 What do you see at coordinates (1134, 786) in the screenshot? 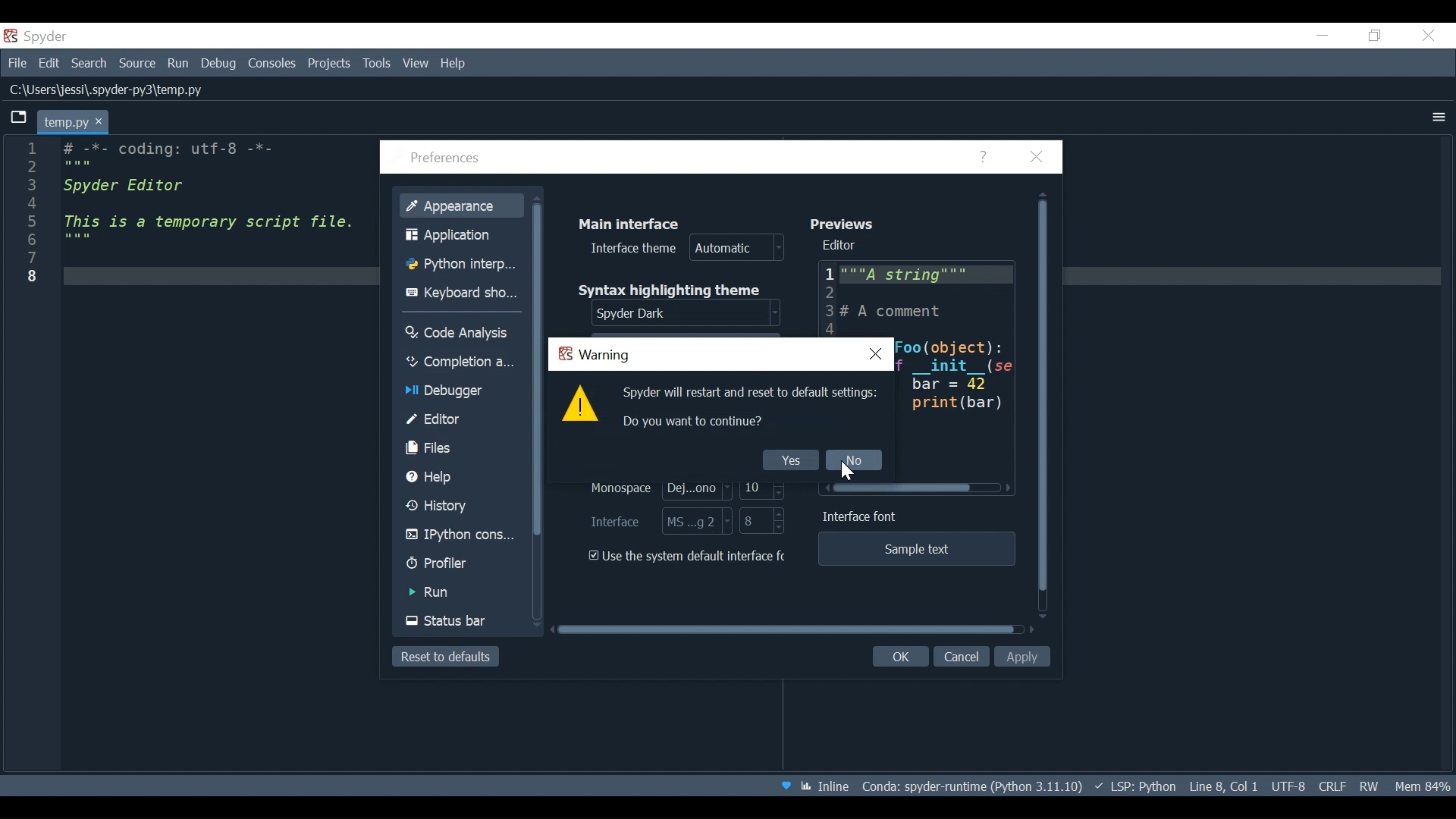
I see `Language` at bounding box center [1134, 786].